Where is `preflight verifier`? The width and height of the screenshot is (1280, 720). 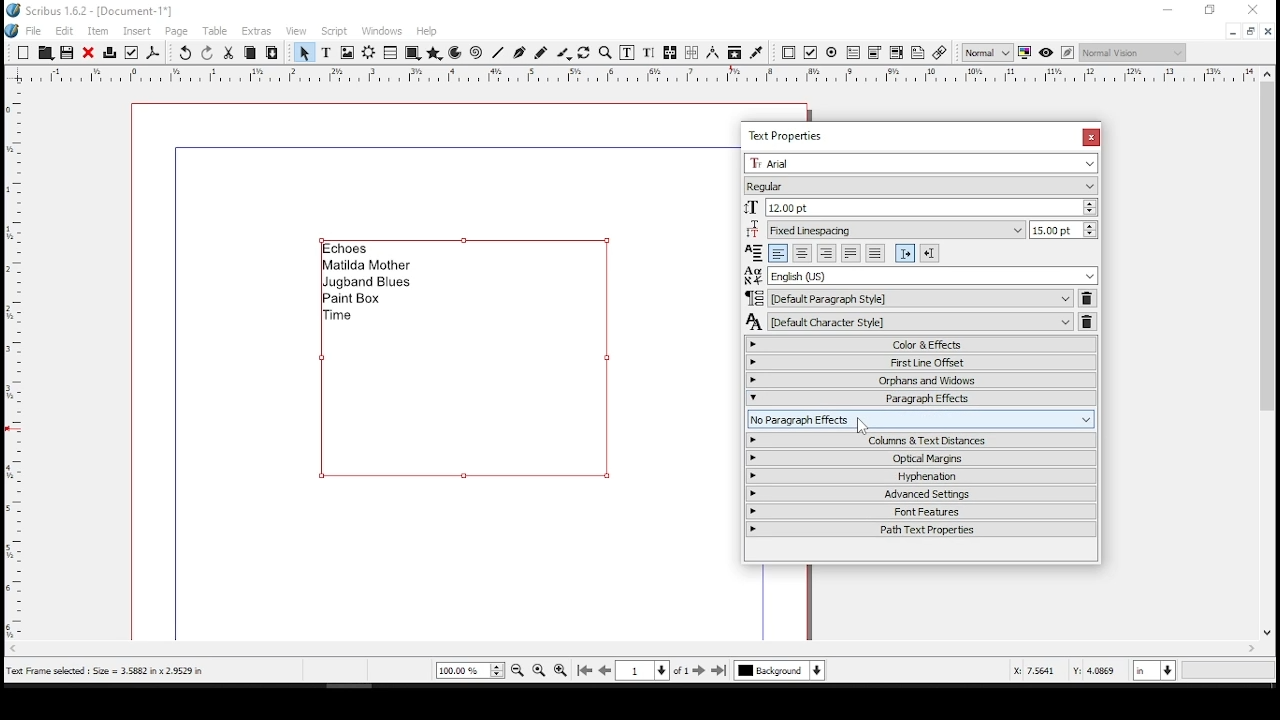
preflight verifier is located at coordinates (133, 52).